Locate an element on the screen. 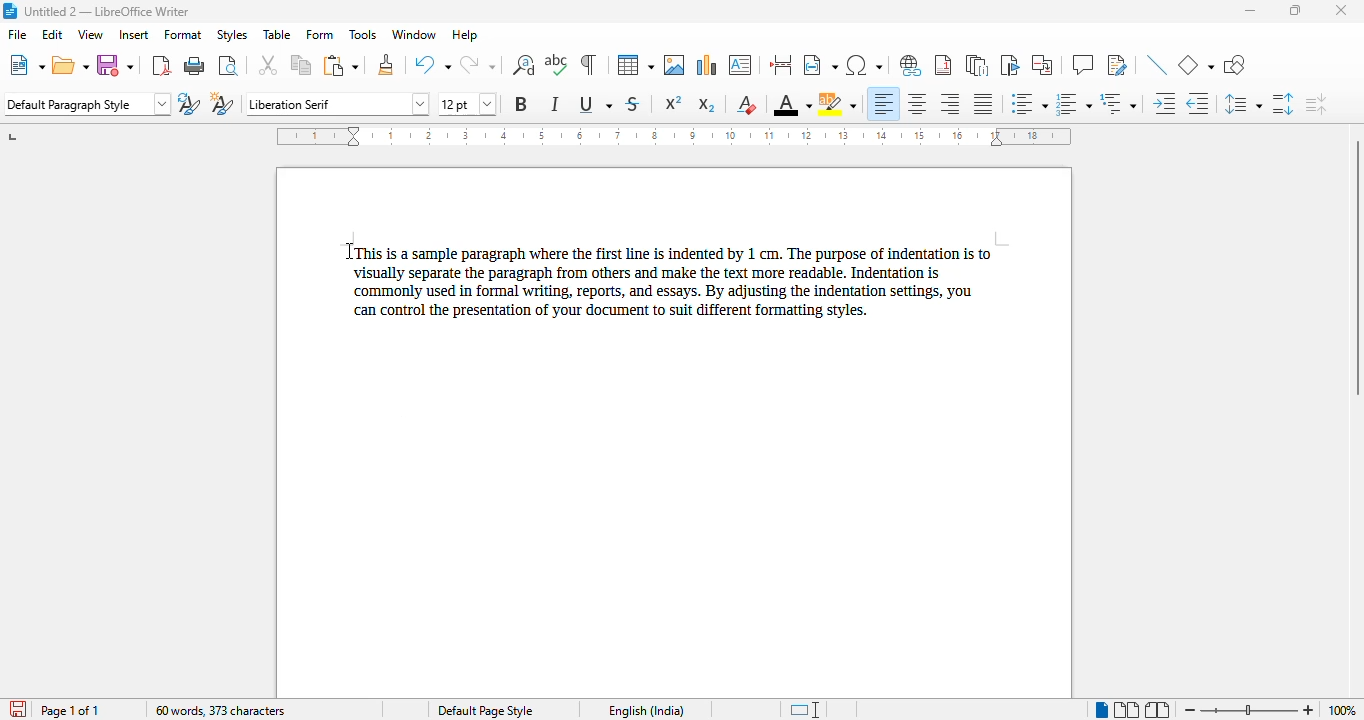 The width and height of the screenshot is (1364, 720). superscript is located at coordinates (673, 102).